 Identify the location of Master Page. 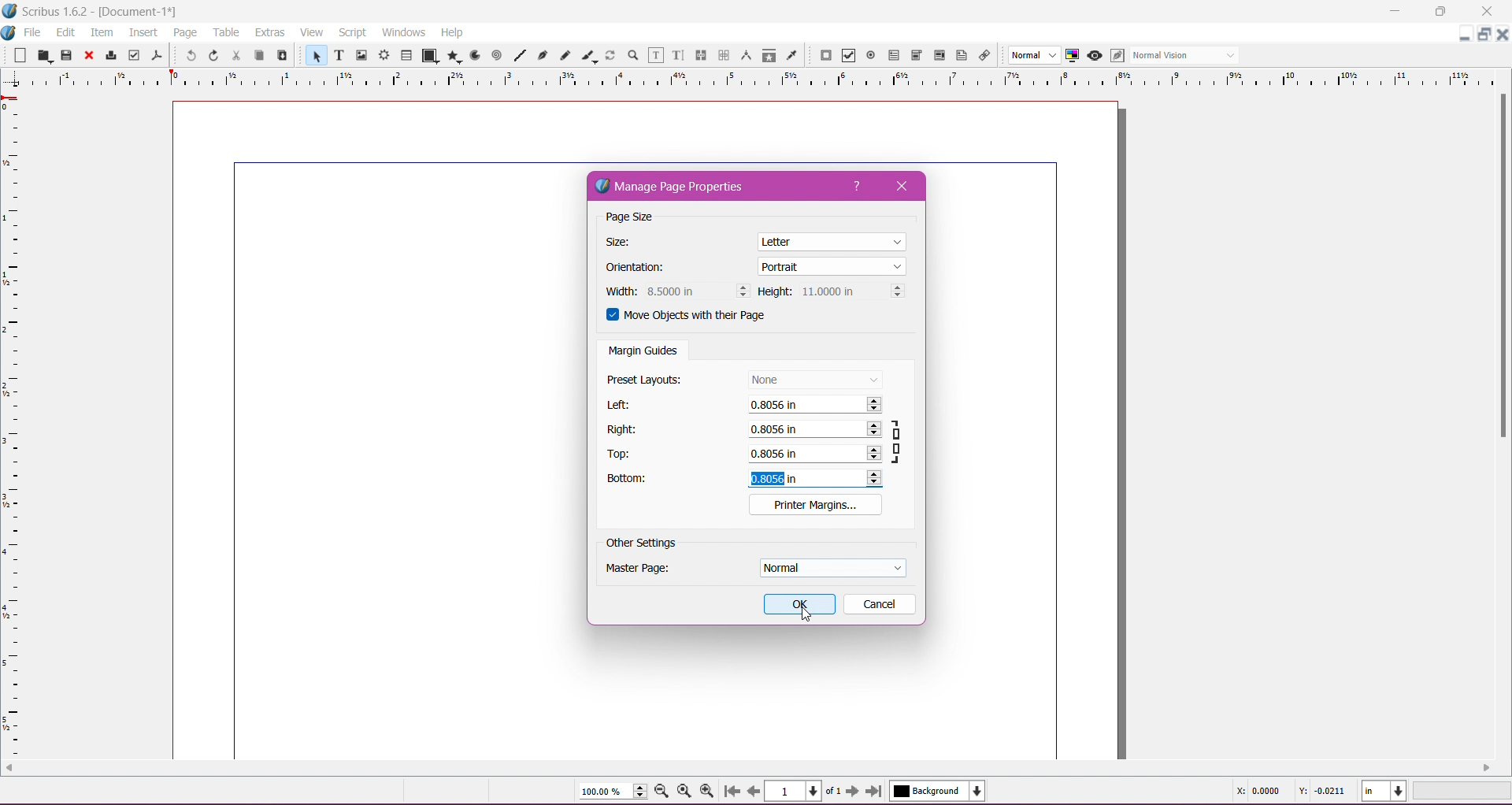
(648, 571).